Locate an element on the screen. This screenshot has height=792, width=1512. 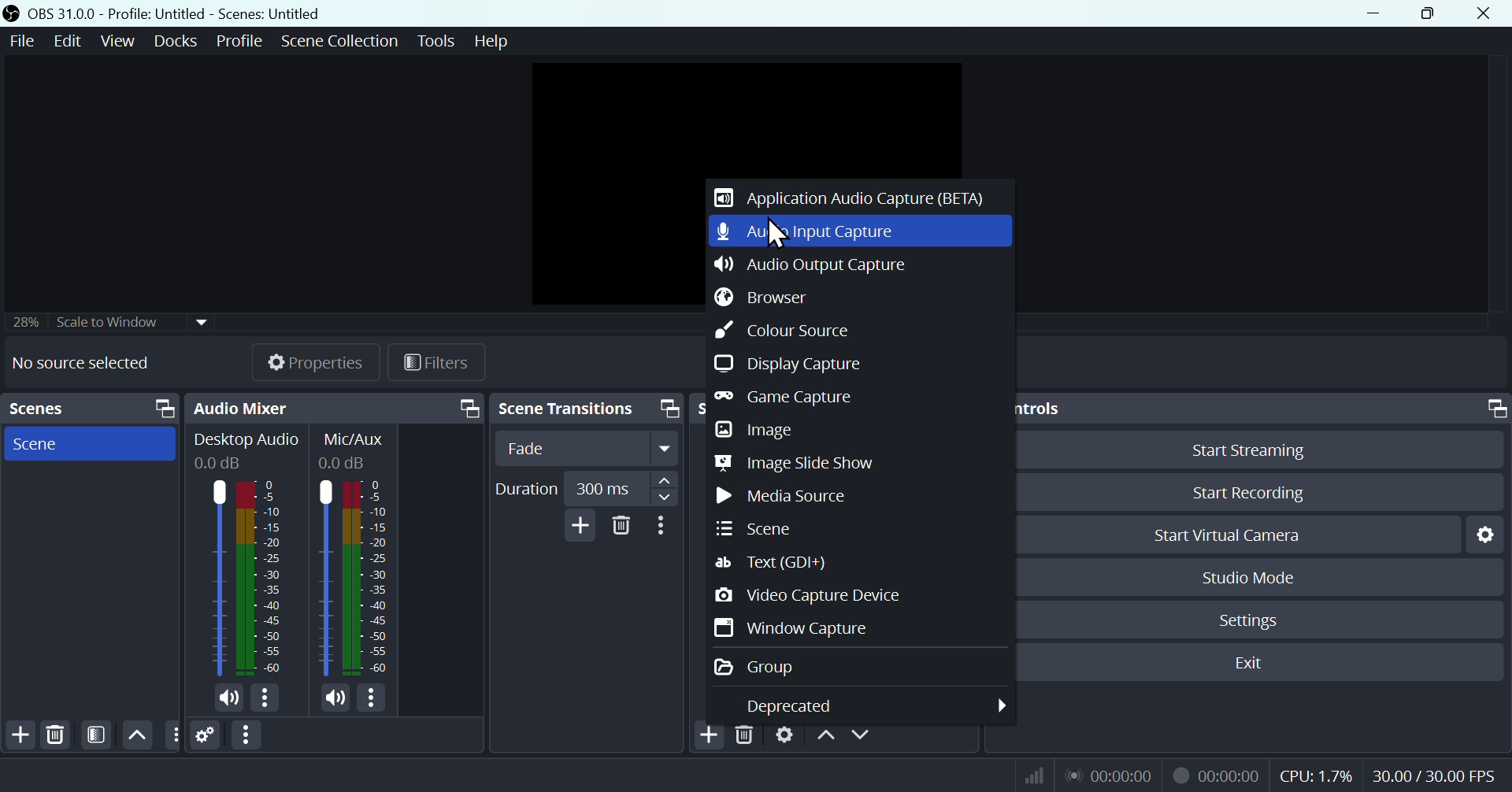
Display capture is located at coordinates (801, 363).